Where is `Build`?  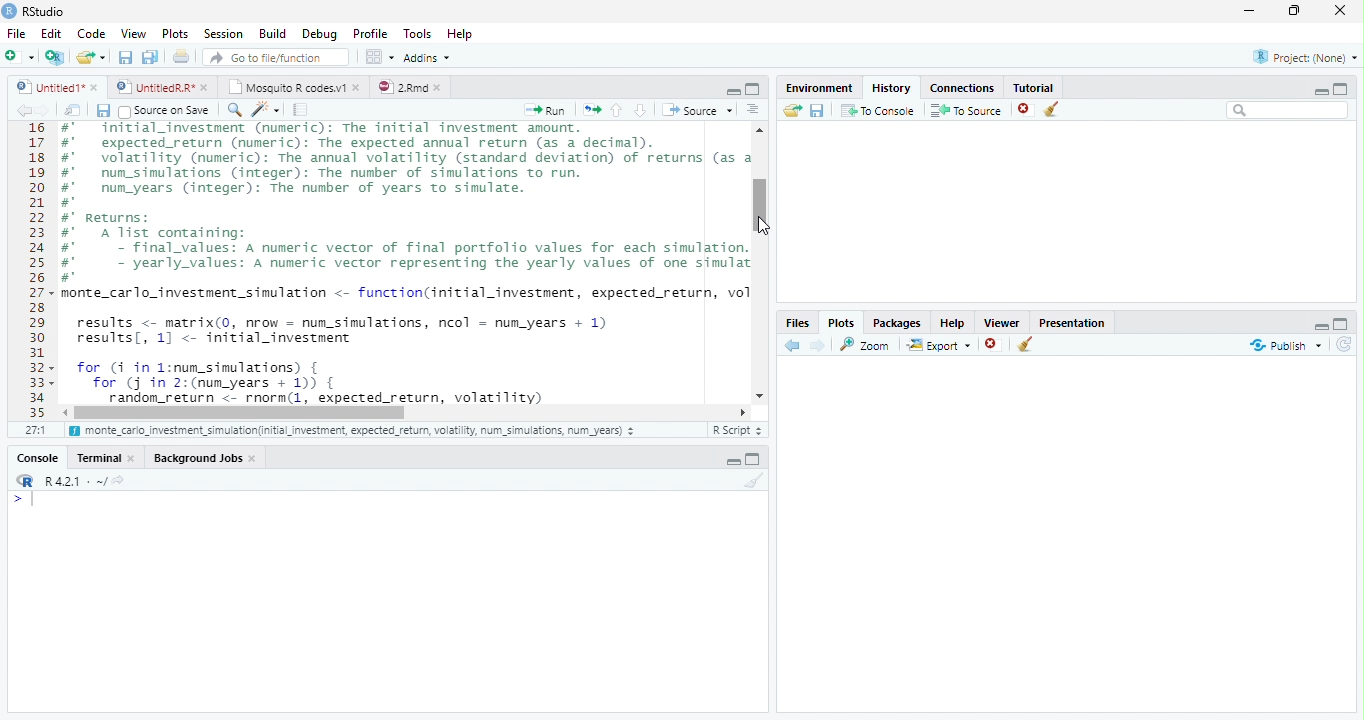
Build is located at coordinates (273, 34).